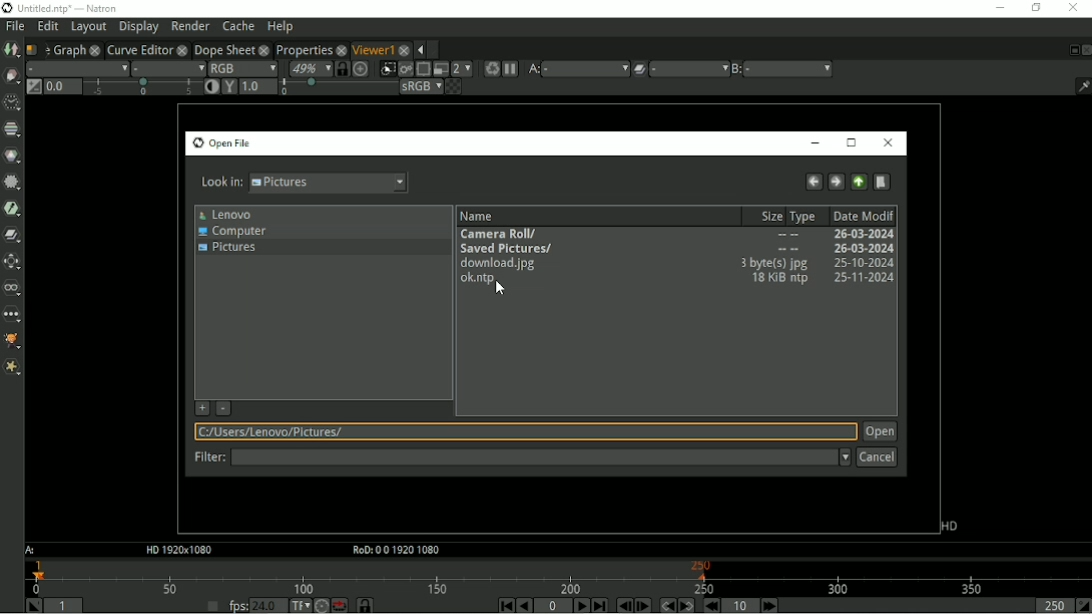  Describe the element at coordinates (32, 550) in the screenshot. I see `A` at that location.